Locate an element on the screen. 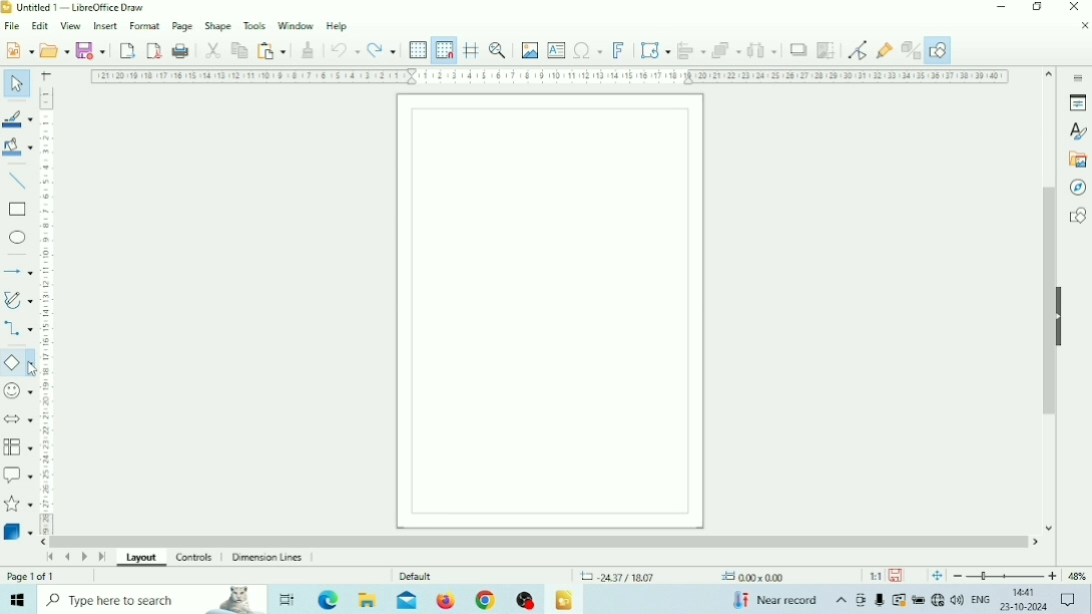 This screenshot has height=614, width=1092. Notifications is located at coordinates (1067, 600).